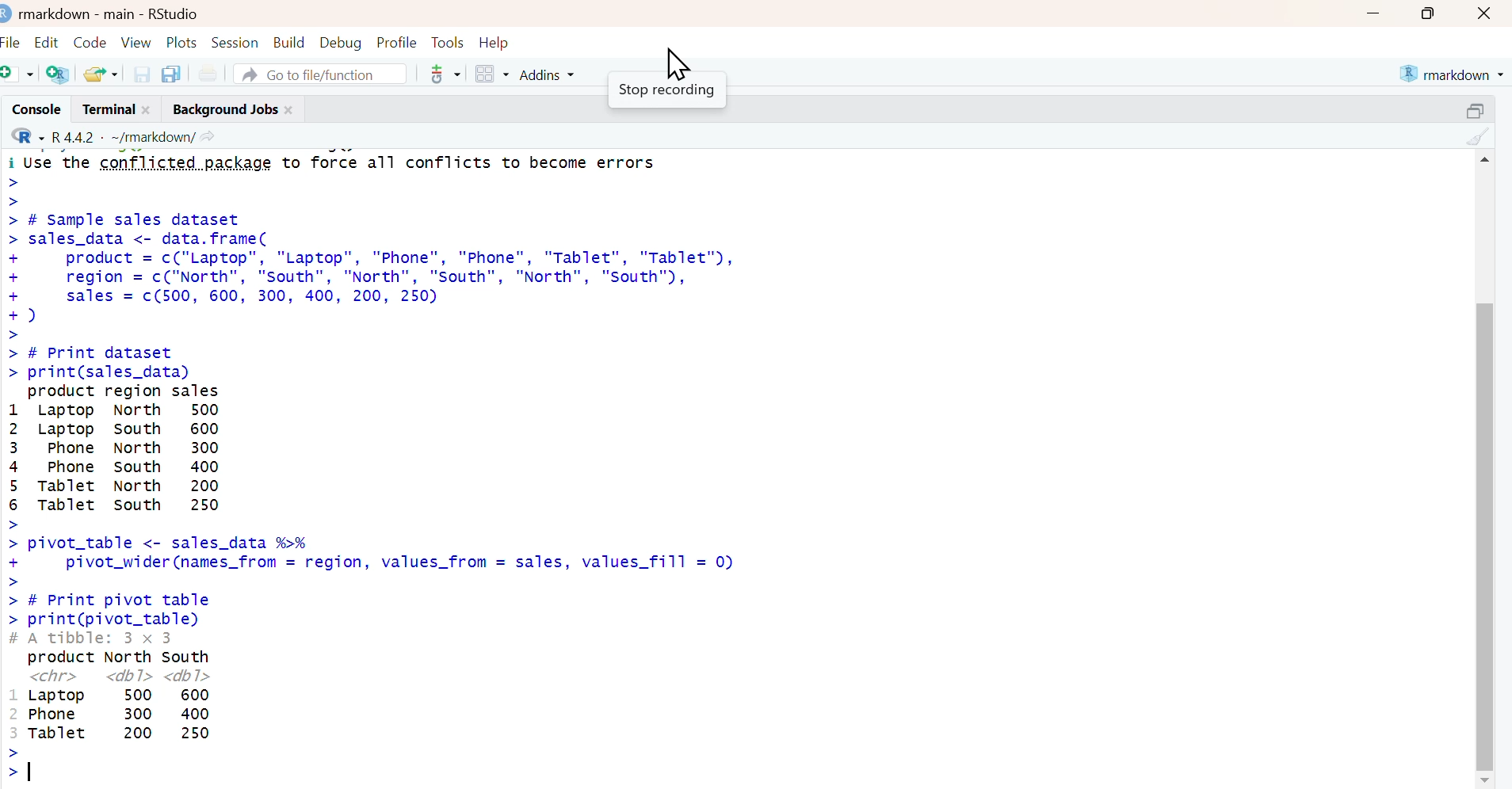 This screenshot has width=1512, height=789. Describe the element at coordinates (74, 135) in the screenshot. I see `R 4.4.2` at that location.